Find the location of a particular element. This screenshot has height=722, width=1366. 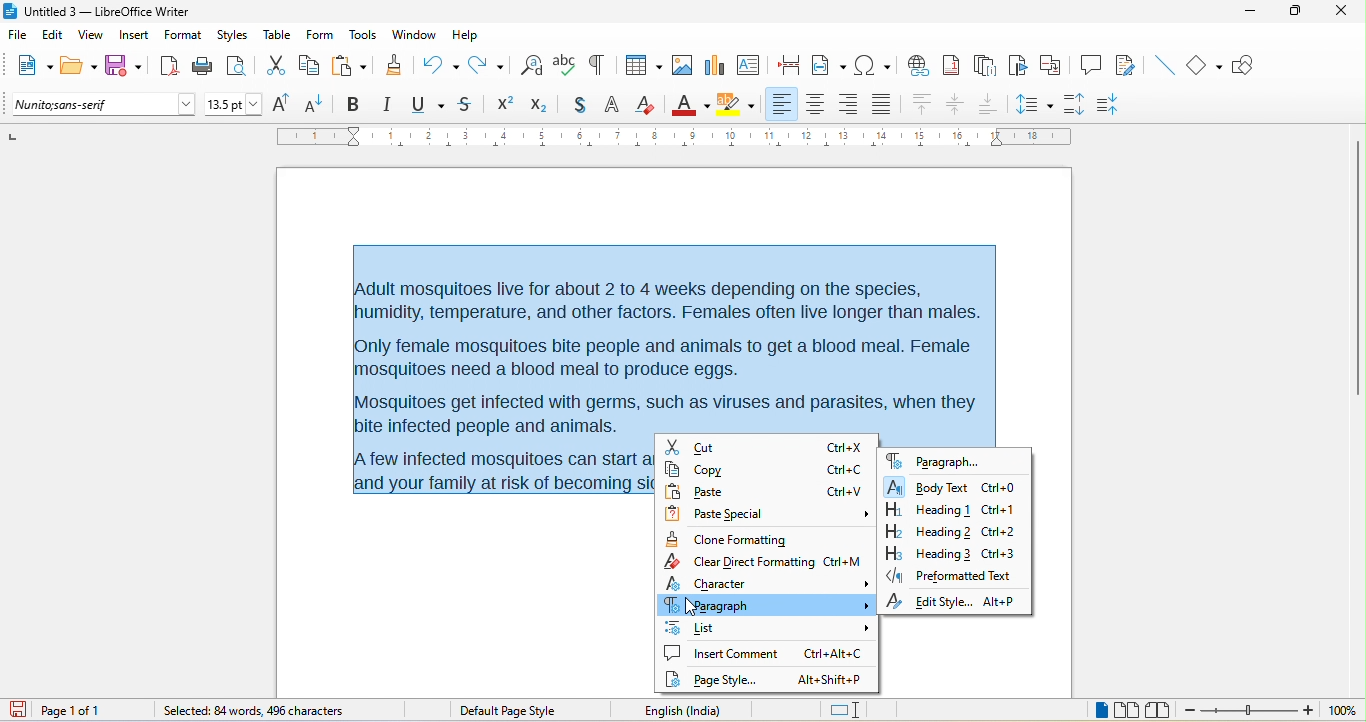

show track changes function is located at coordinates (1129, 66).